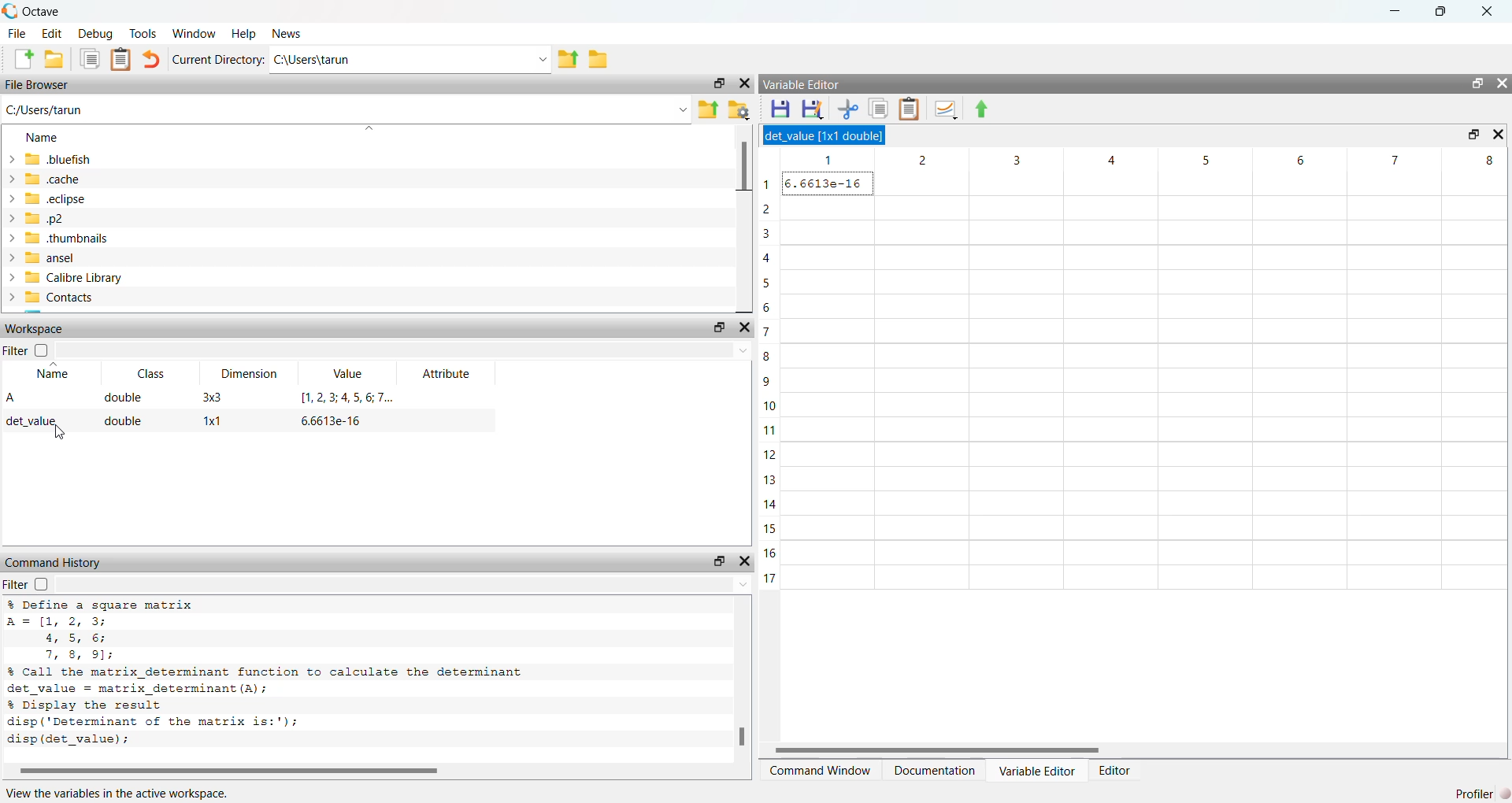 Image resolution: width=1512 pixels, height=803 pixels. What do you see at coordinates (44, 350) in the screenshot?
I see `off` at bounding box center [44, 350].